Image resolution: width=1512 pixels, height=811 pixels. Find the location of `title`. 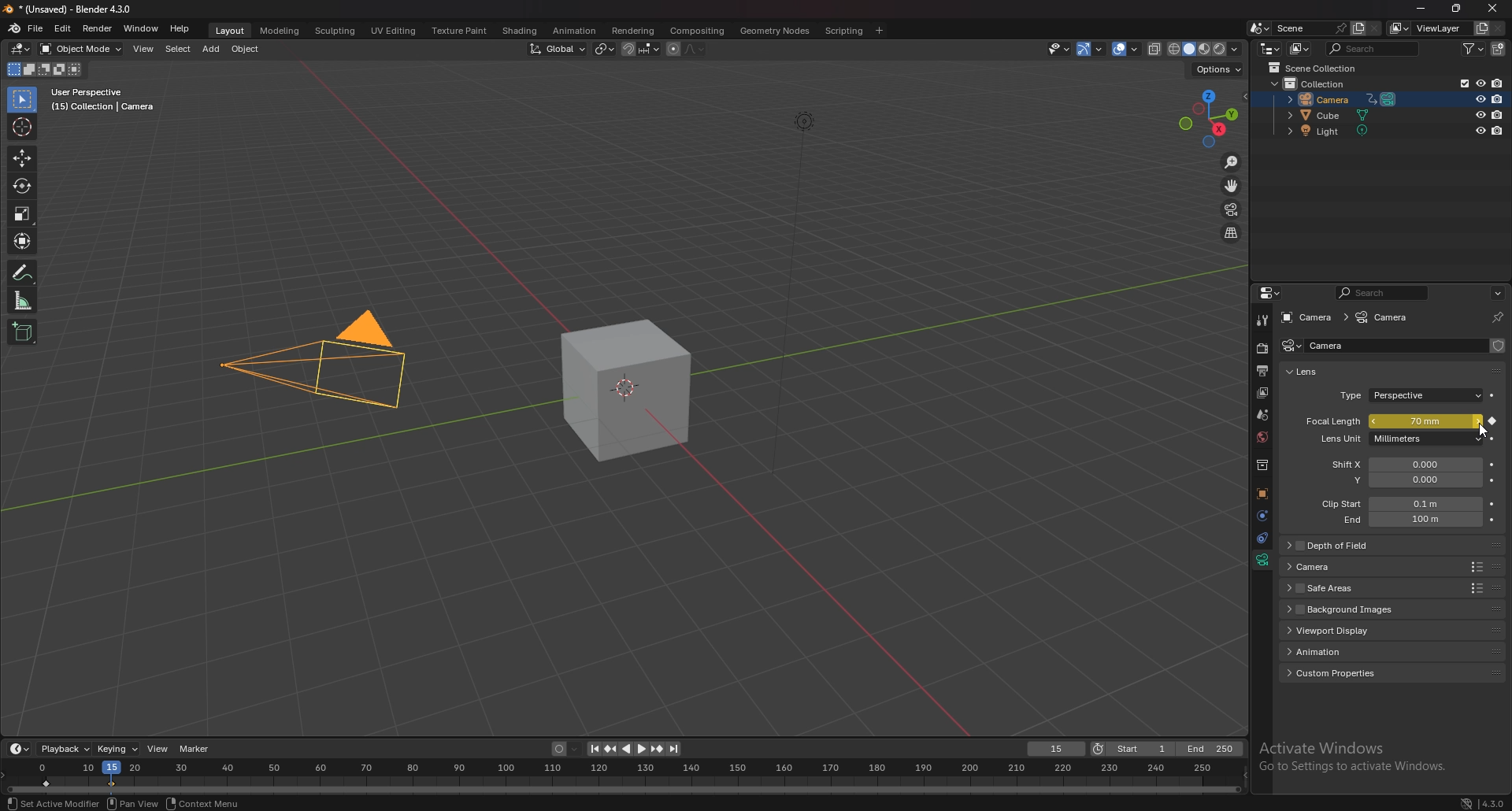

title is located at coordinates (72, 9).